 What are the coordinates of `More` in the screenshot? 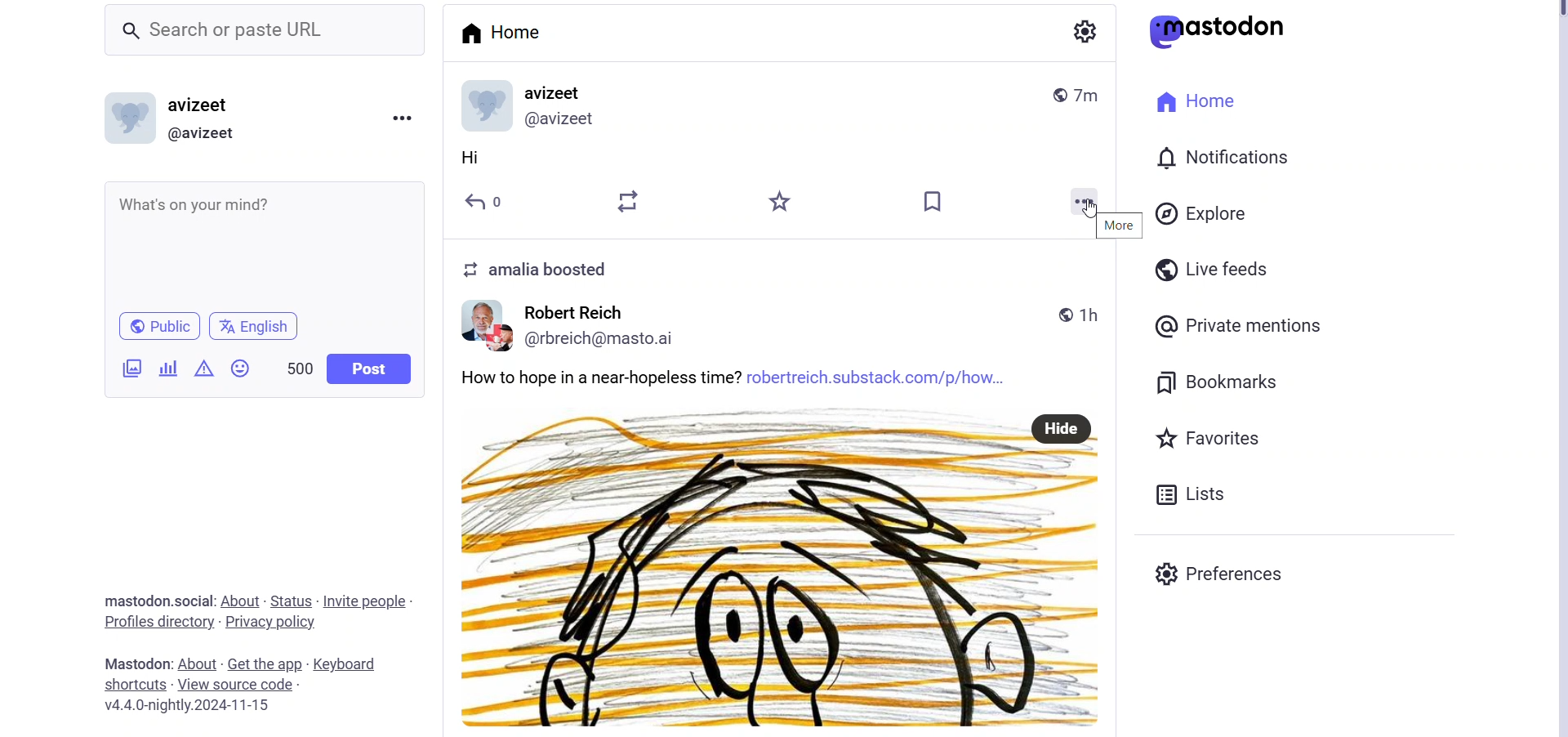 It's located at (1120, 226).